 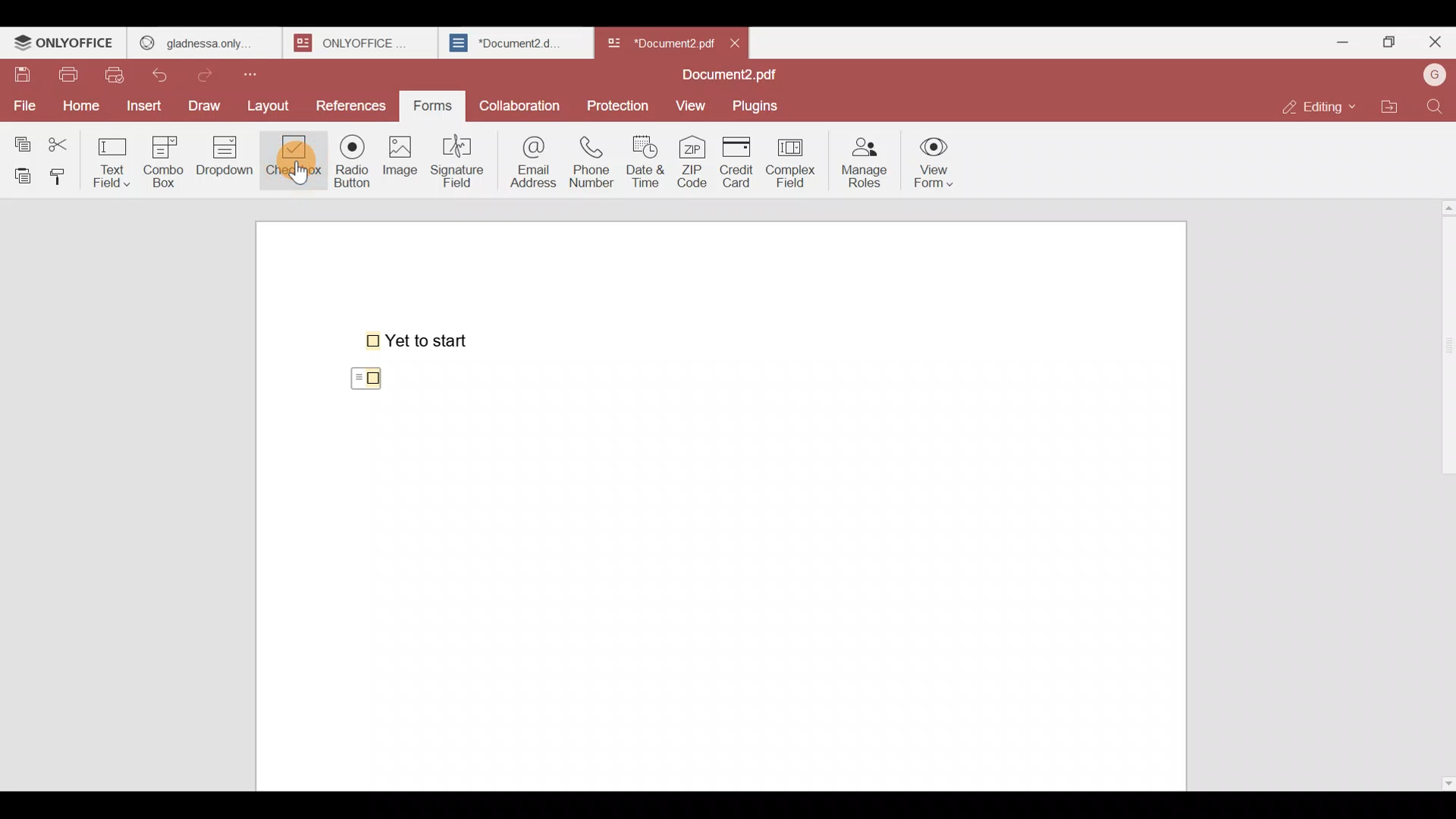 I want to click on Cut, so click(x=65, y=141).